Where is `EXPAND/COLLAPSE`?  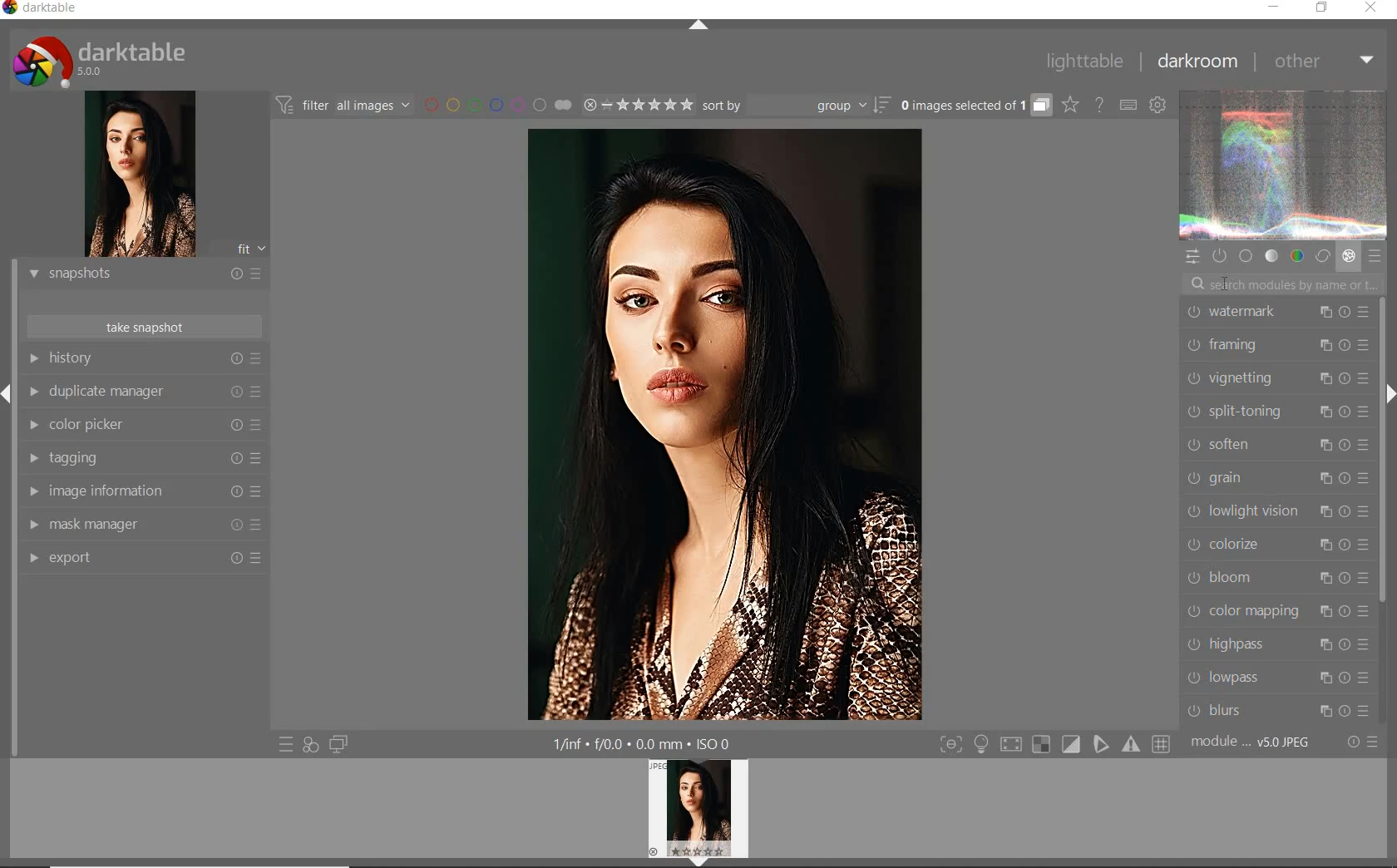
EXPAND/COLLAPSE is located at coordinates (696, 26).